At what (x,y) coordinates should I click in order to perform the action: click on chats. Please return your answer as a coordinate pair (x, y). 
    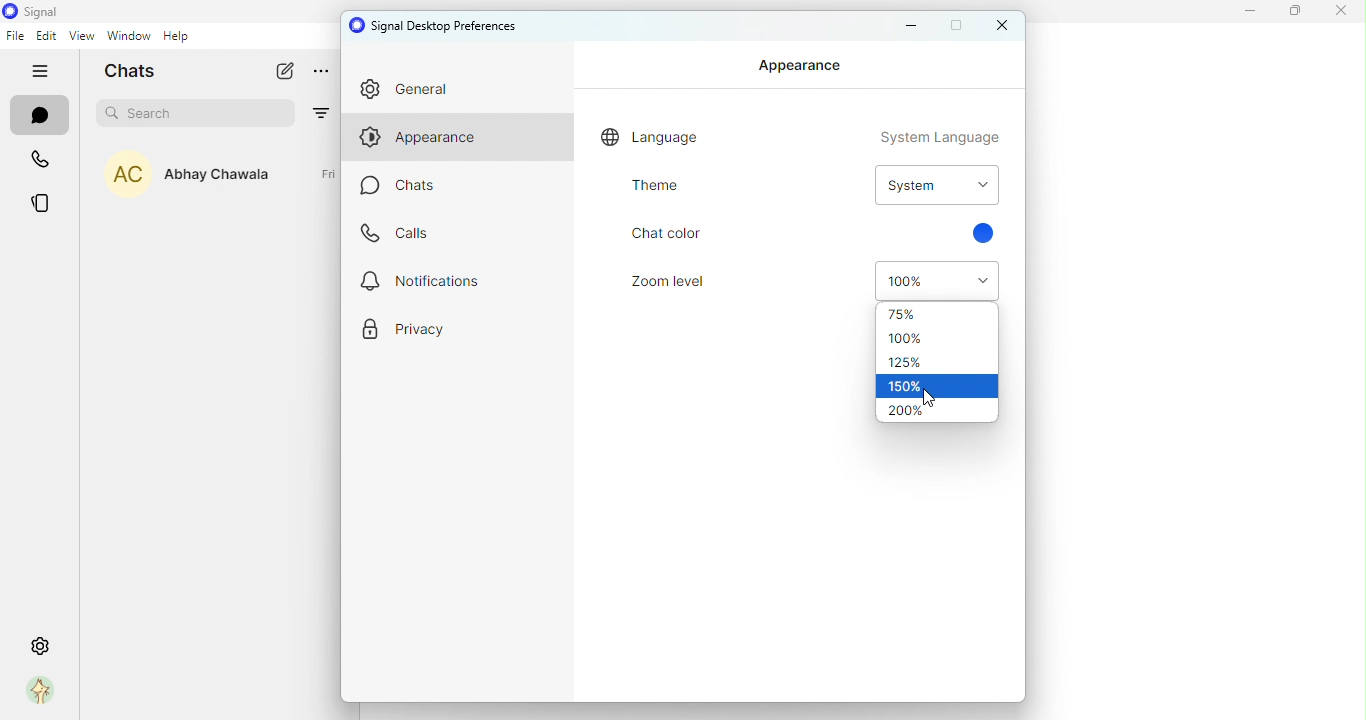
    Looking at the image, I should click on (37, 116).